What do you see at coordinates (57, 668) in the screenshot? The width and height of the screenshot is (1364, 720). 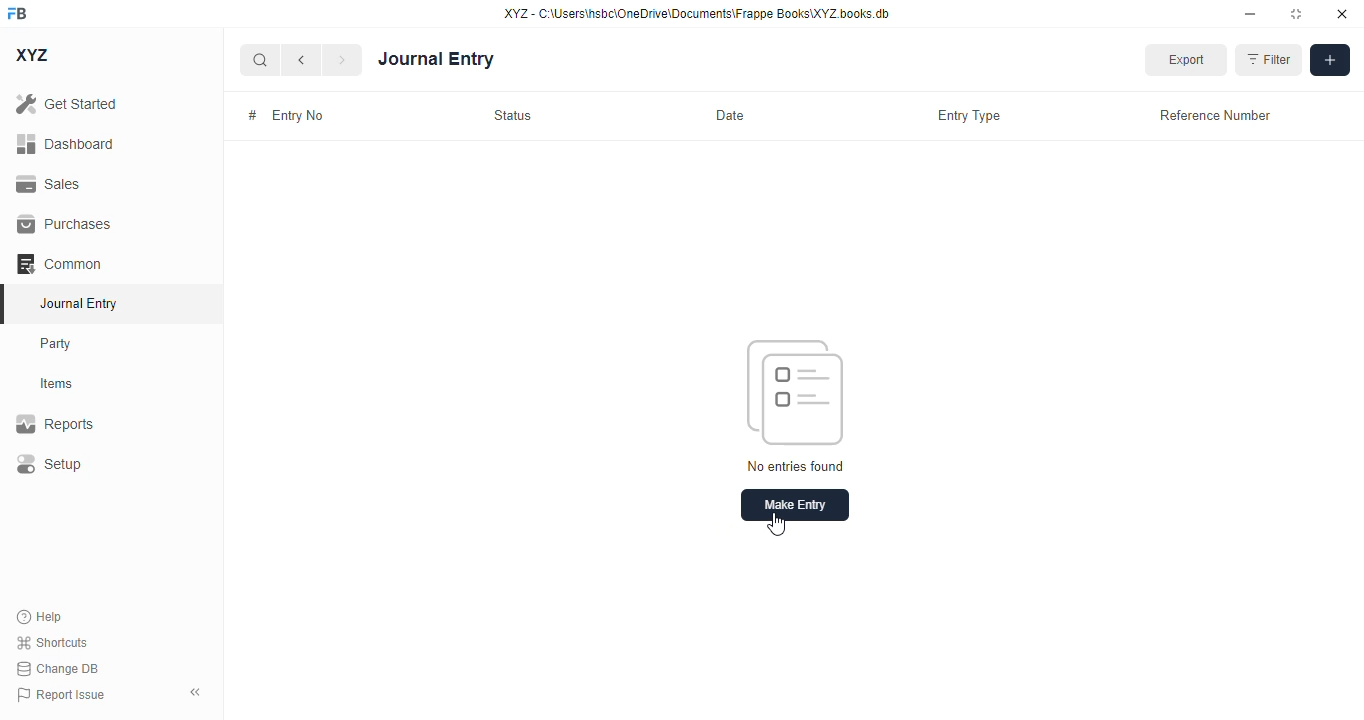 I see `change DB` at bounding box center [57, 668].